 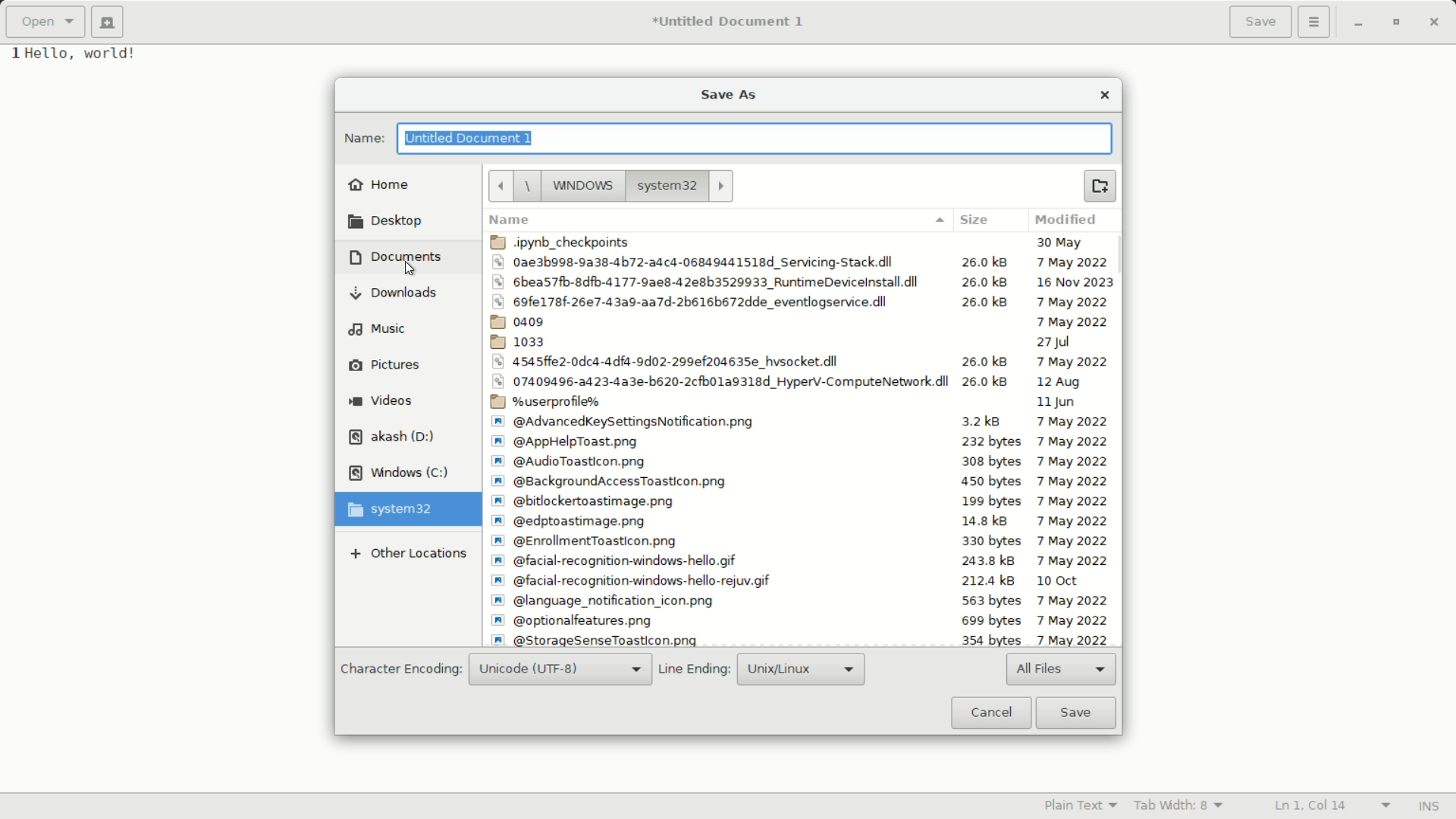 What do you see at coordinates (801, 501) in the screenshot?
I see `File` at bounding box center [801, 501].